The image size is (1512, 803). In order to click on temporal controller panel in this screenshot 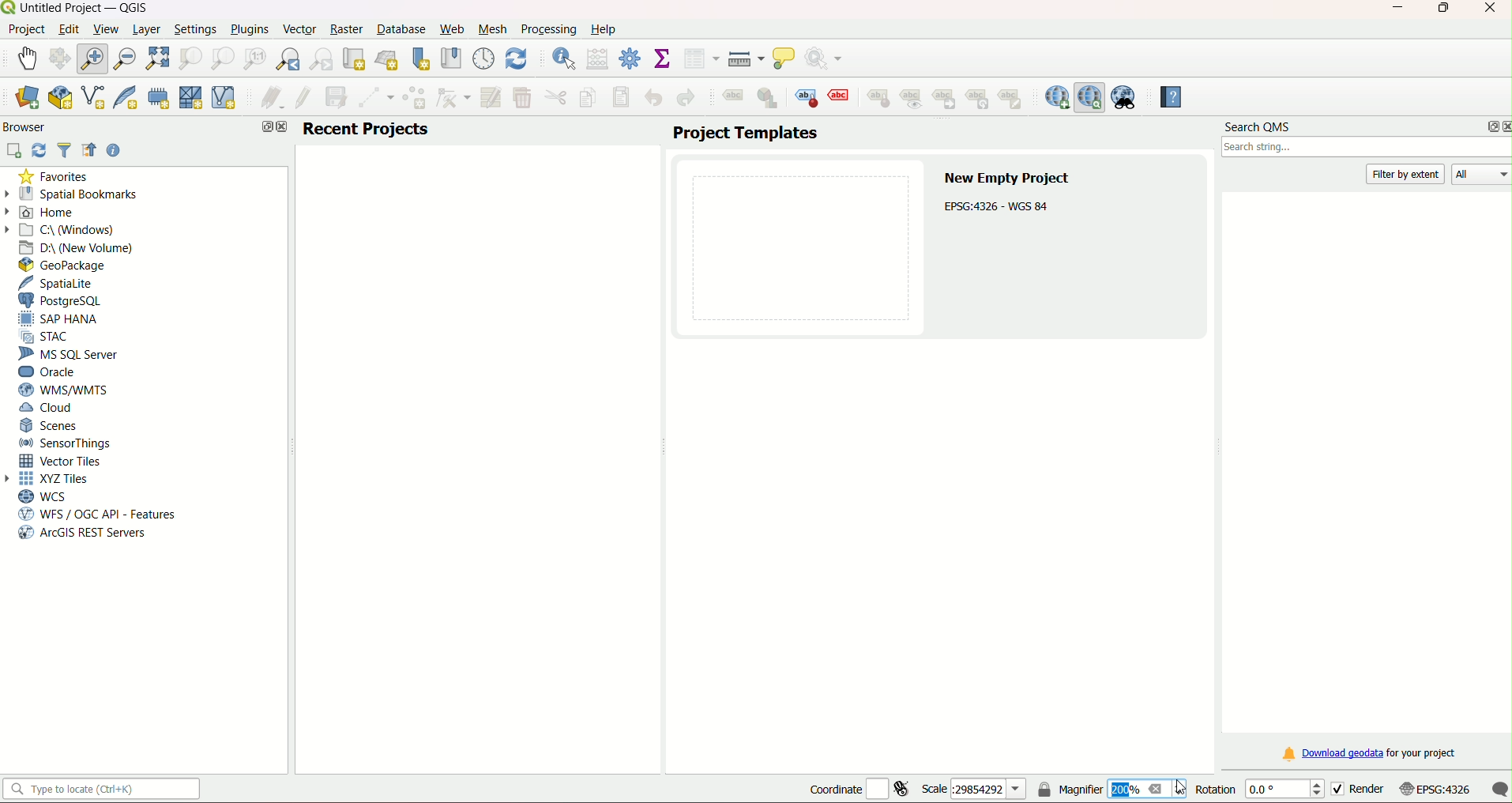, I will do `click(483, 58)`.